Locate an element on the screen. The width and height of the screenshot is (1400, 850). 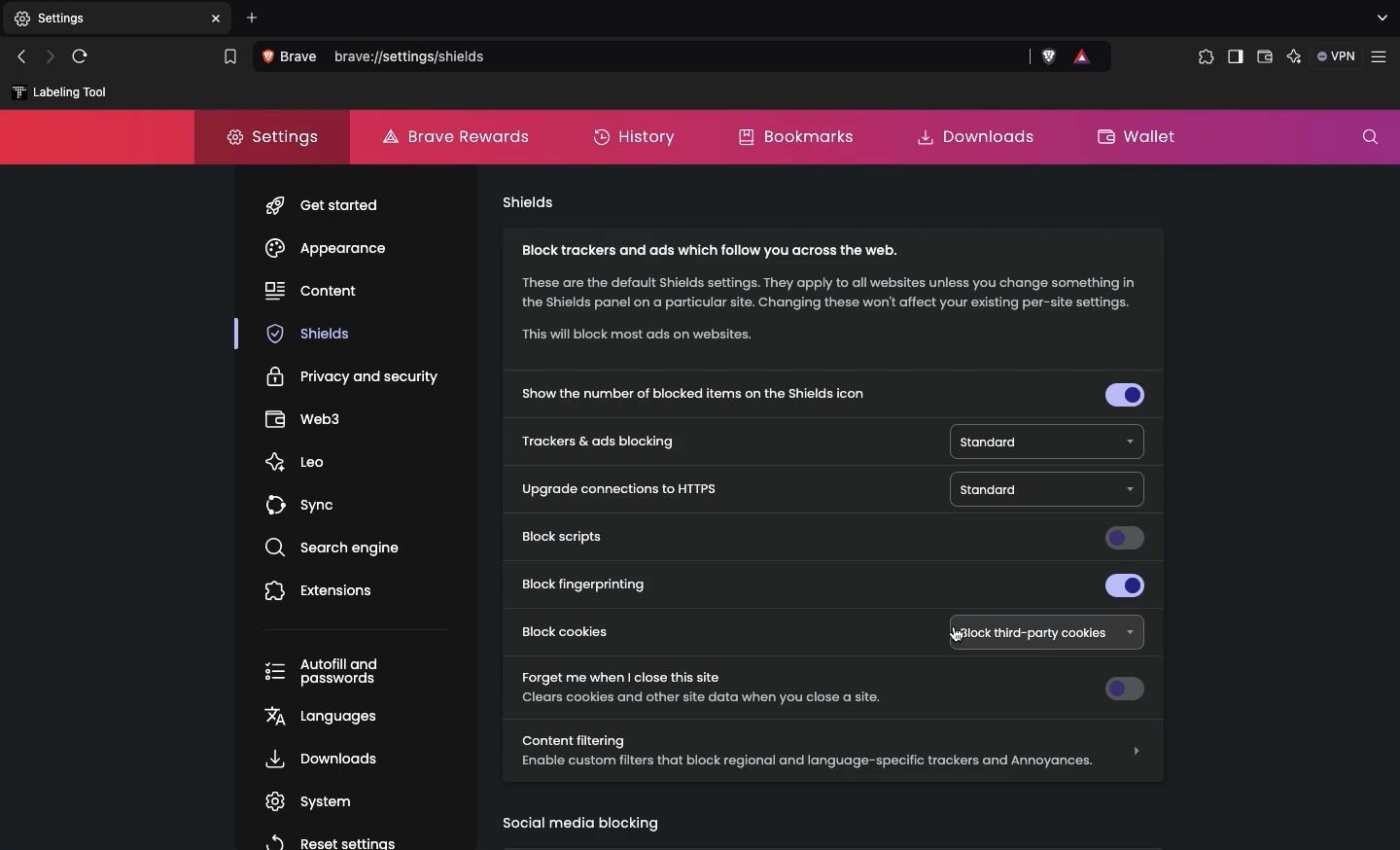
Block trackers and ads which follow you across the web.

These are the default Shields settings. They apply to all websites unless you change something in
the Shields panel on a particular site. Changing these won't affect your existing per-site settings.
“This will block most ads on websites. is located at coordinates (825, 301).